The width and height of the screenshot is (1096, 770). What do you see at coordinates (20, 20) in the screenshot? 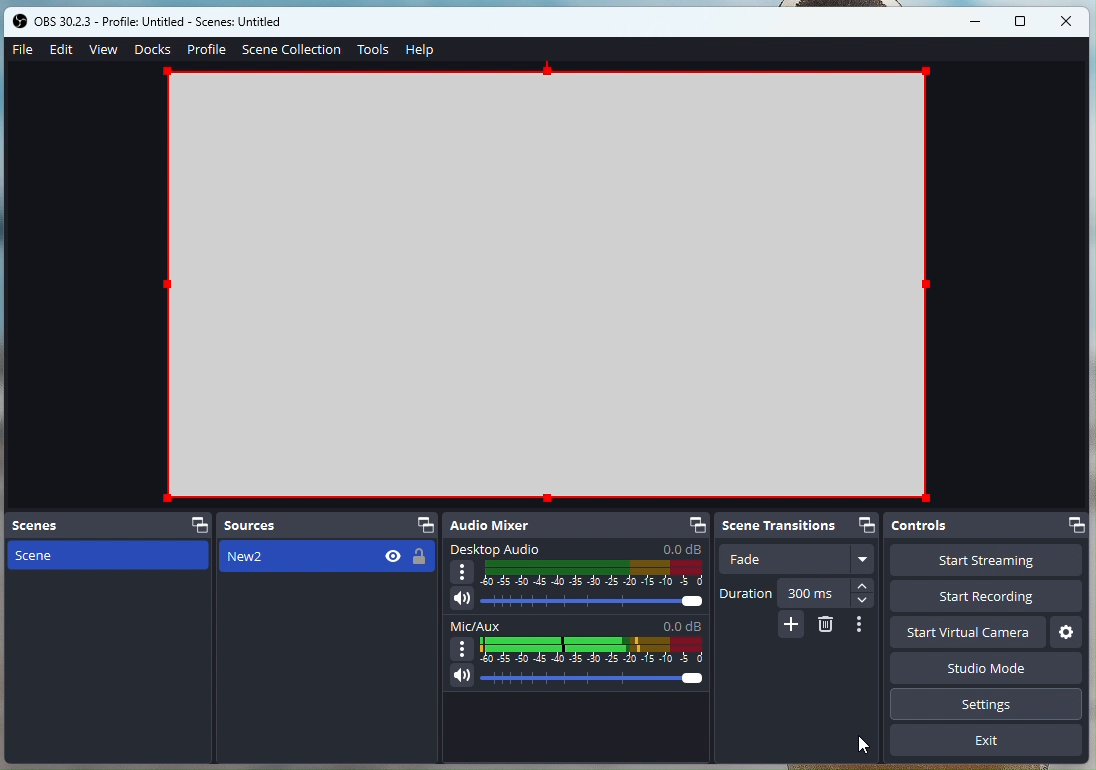
I see `OBS studio logo` at bounding box center [20, 20].